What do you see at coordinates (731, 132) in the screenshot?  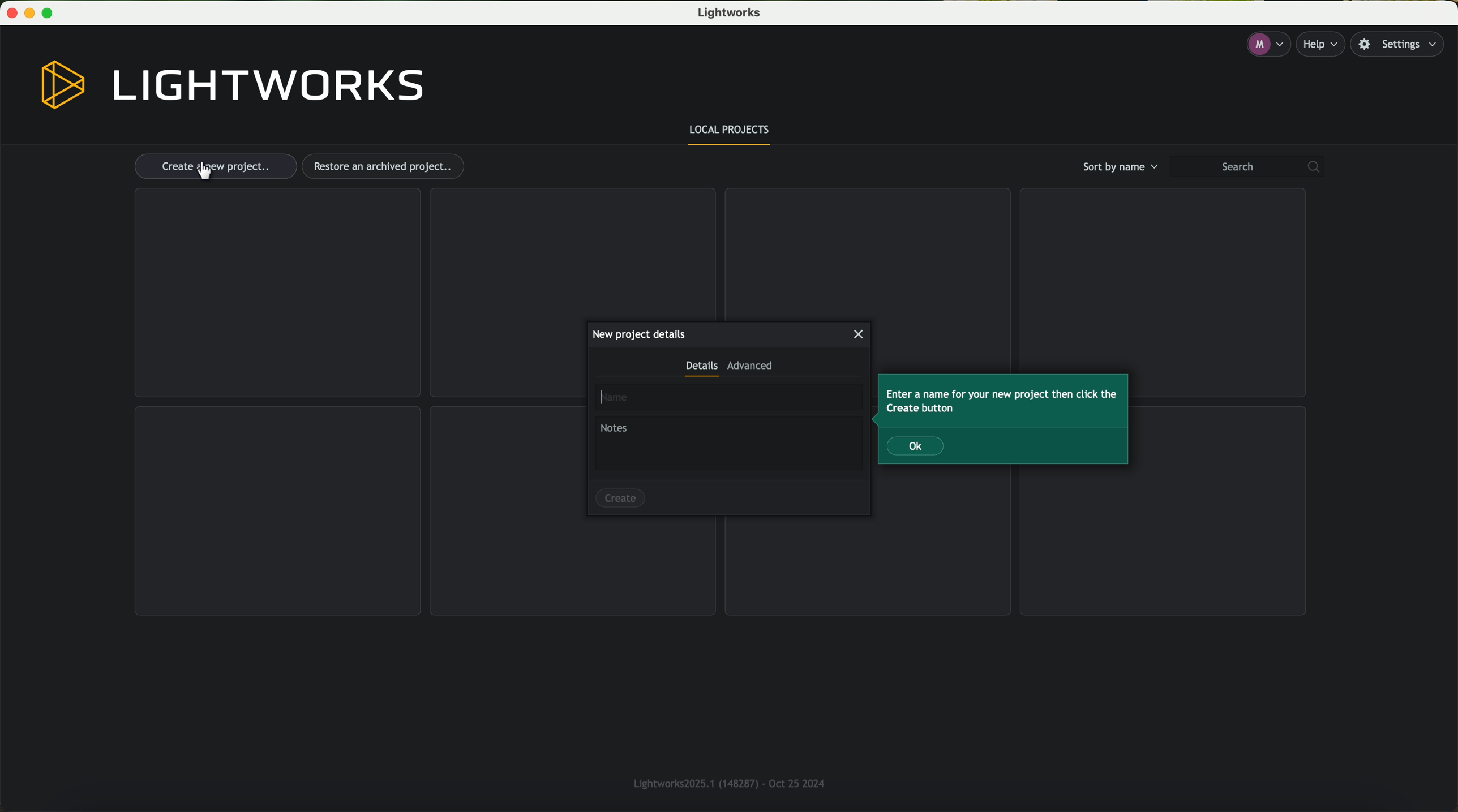 I see `local projects` at bounding box center [731, 132].